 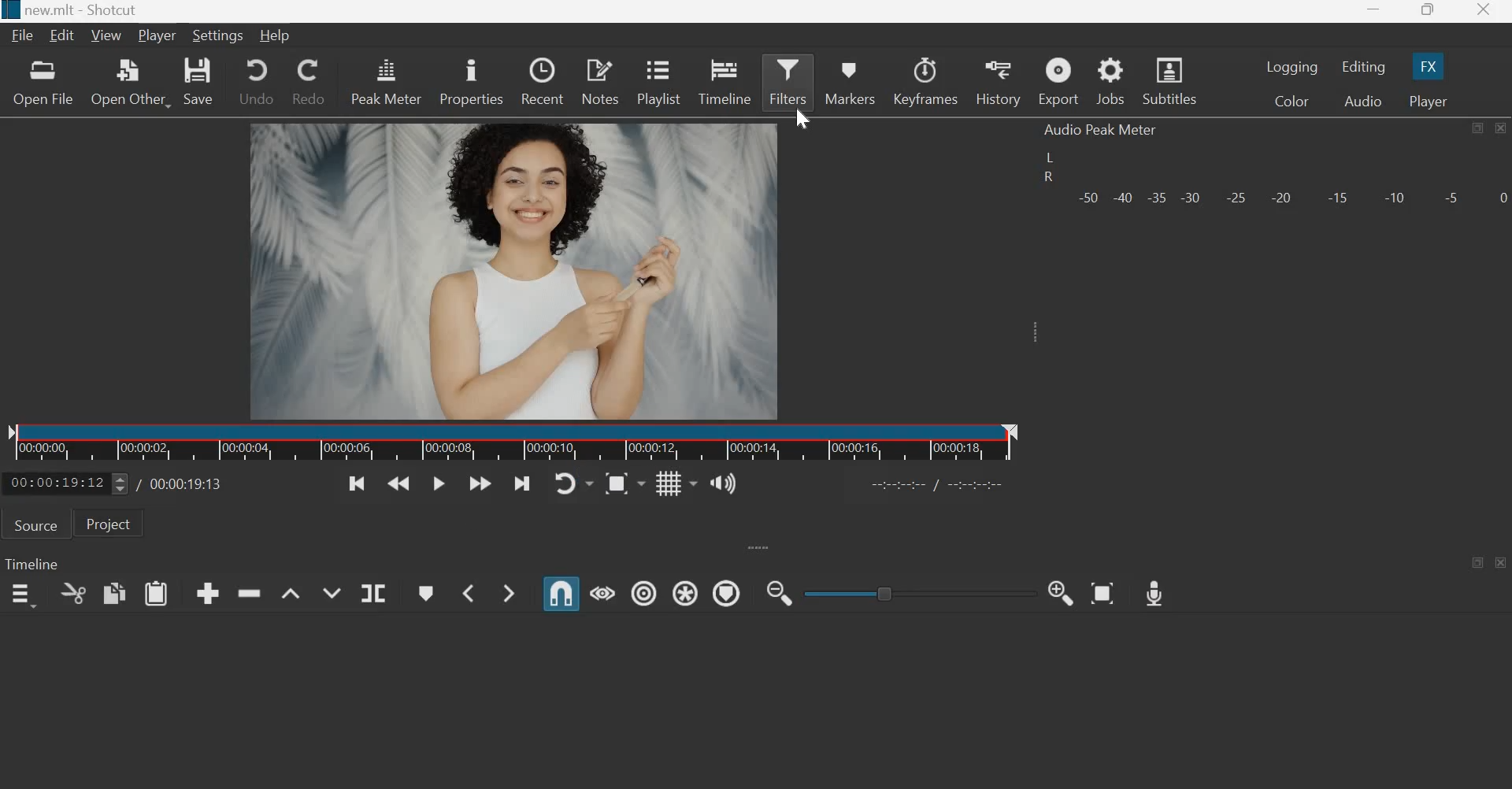 What do you see at coordinates (1426, 101) in the screenshot?
I see `Player` at bounding box center [1426, 101].